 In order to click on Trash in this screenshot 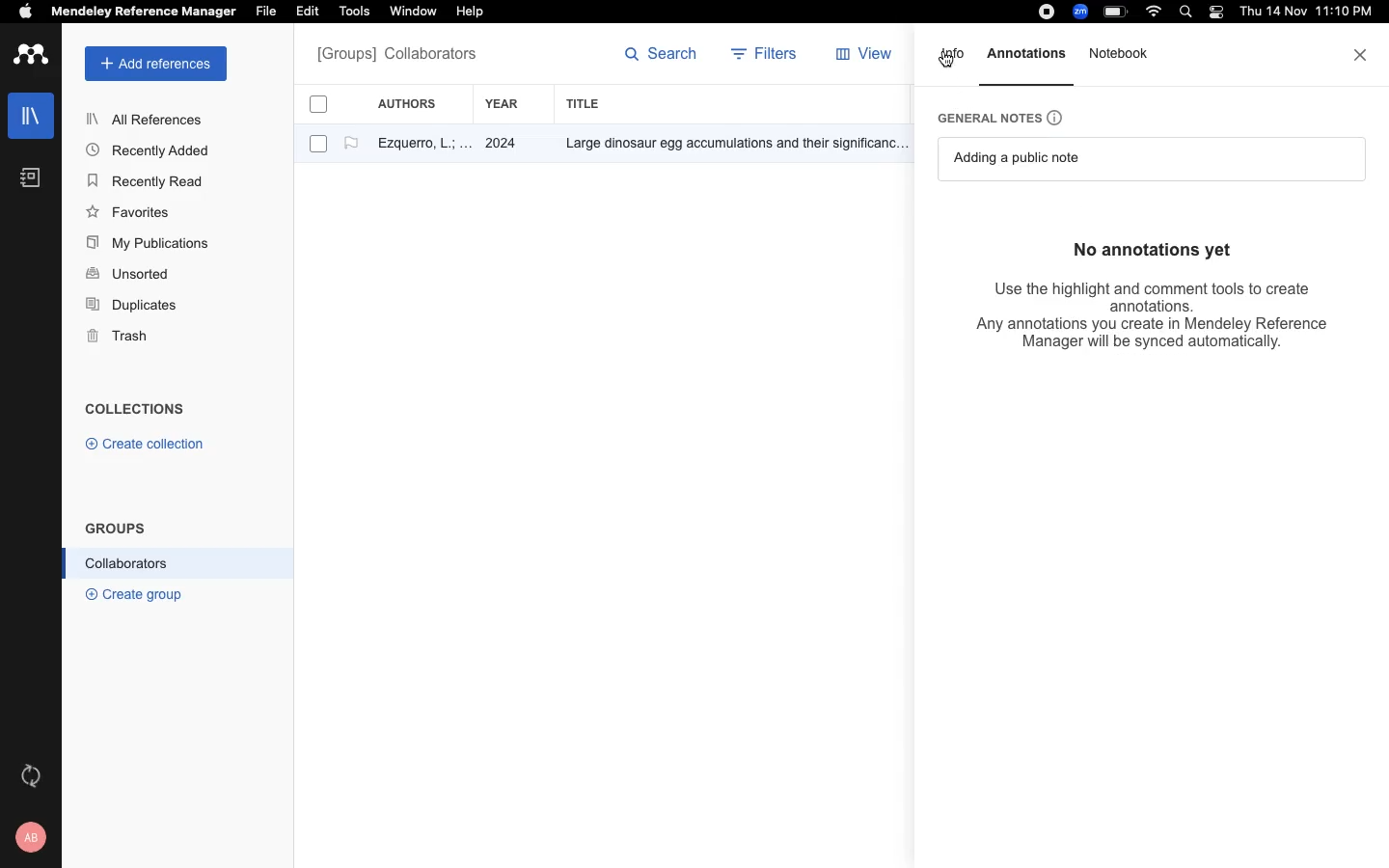, I will do `click(125, 338)`.